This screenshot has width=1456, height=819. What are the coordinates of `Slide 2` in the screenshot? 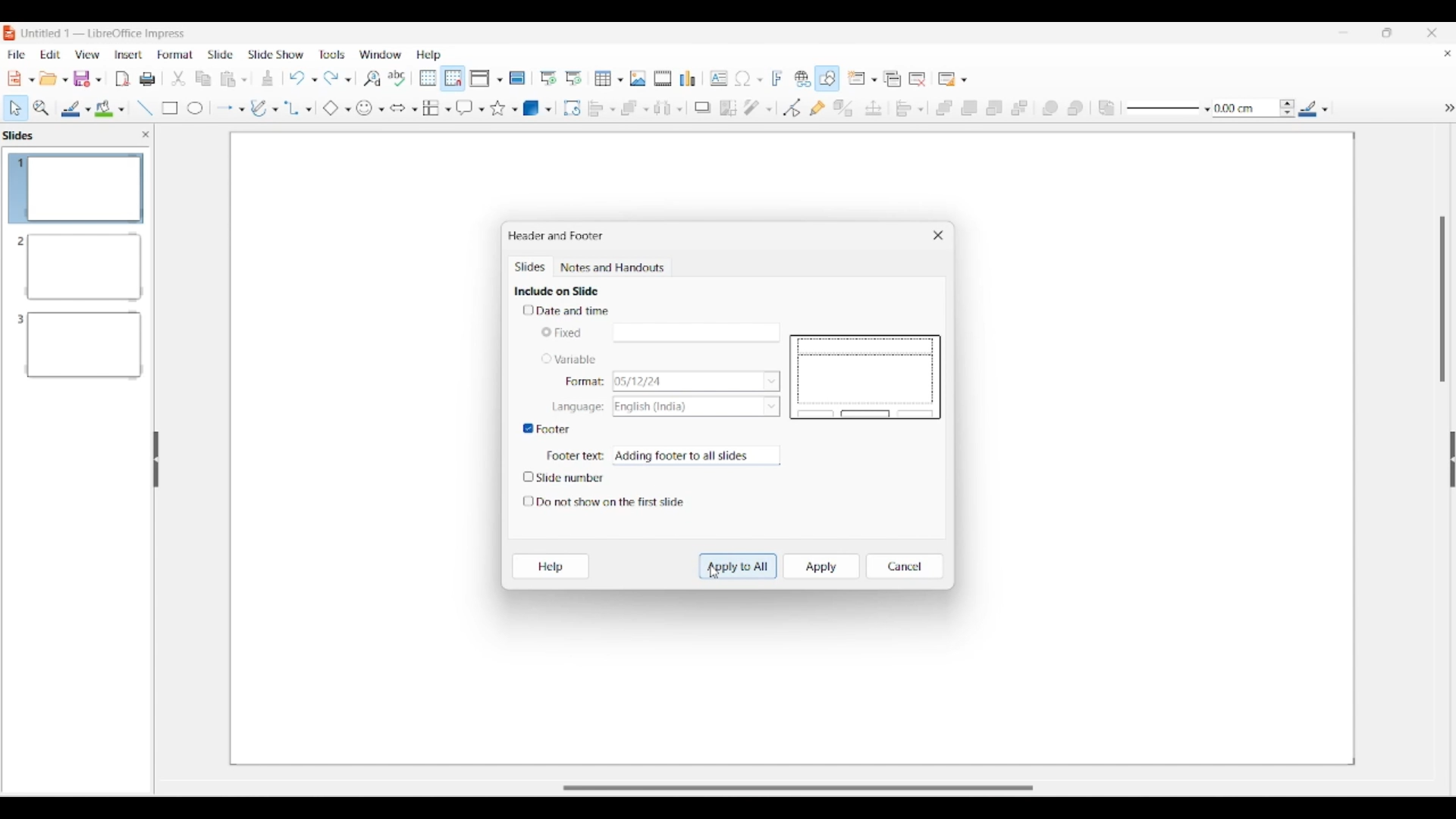 It's located at (79, 268).